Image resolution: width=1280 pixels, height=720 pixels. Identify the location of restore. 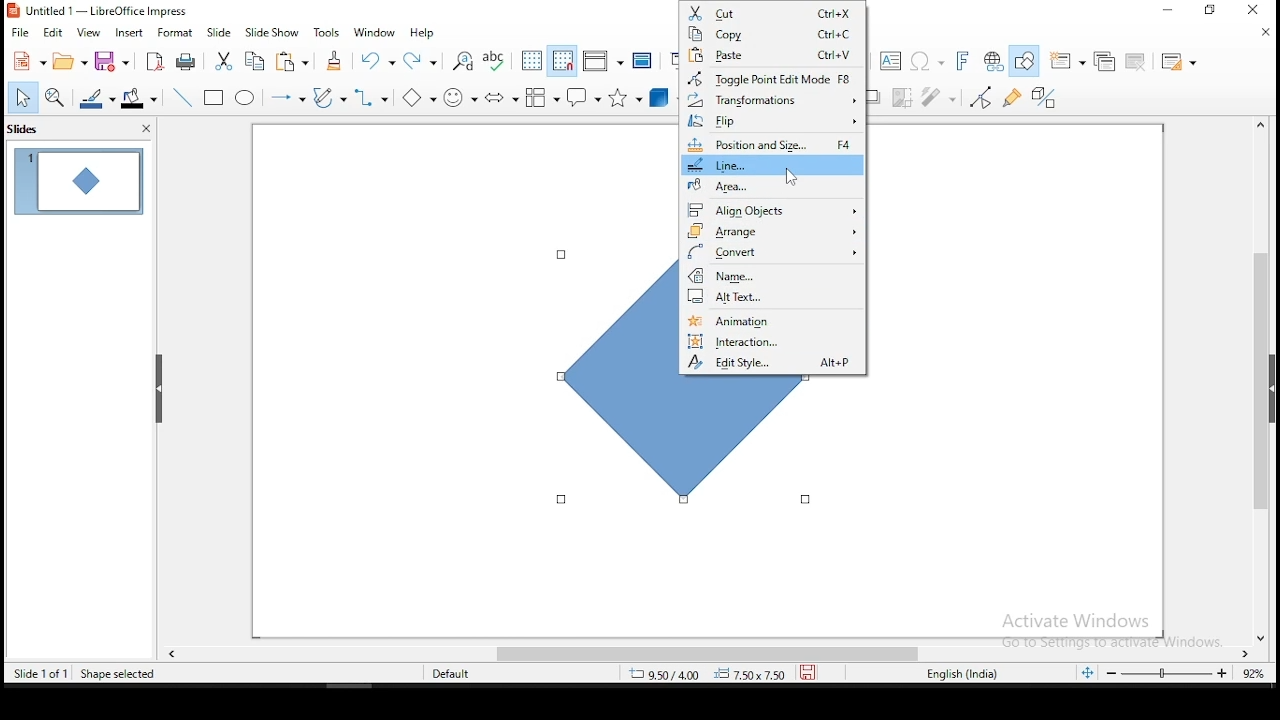
(1209, 10).